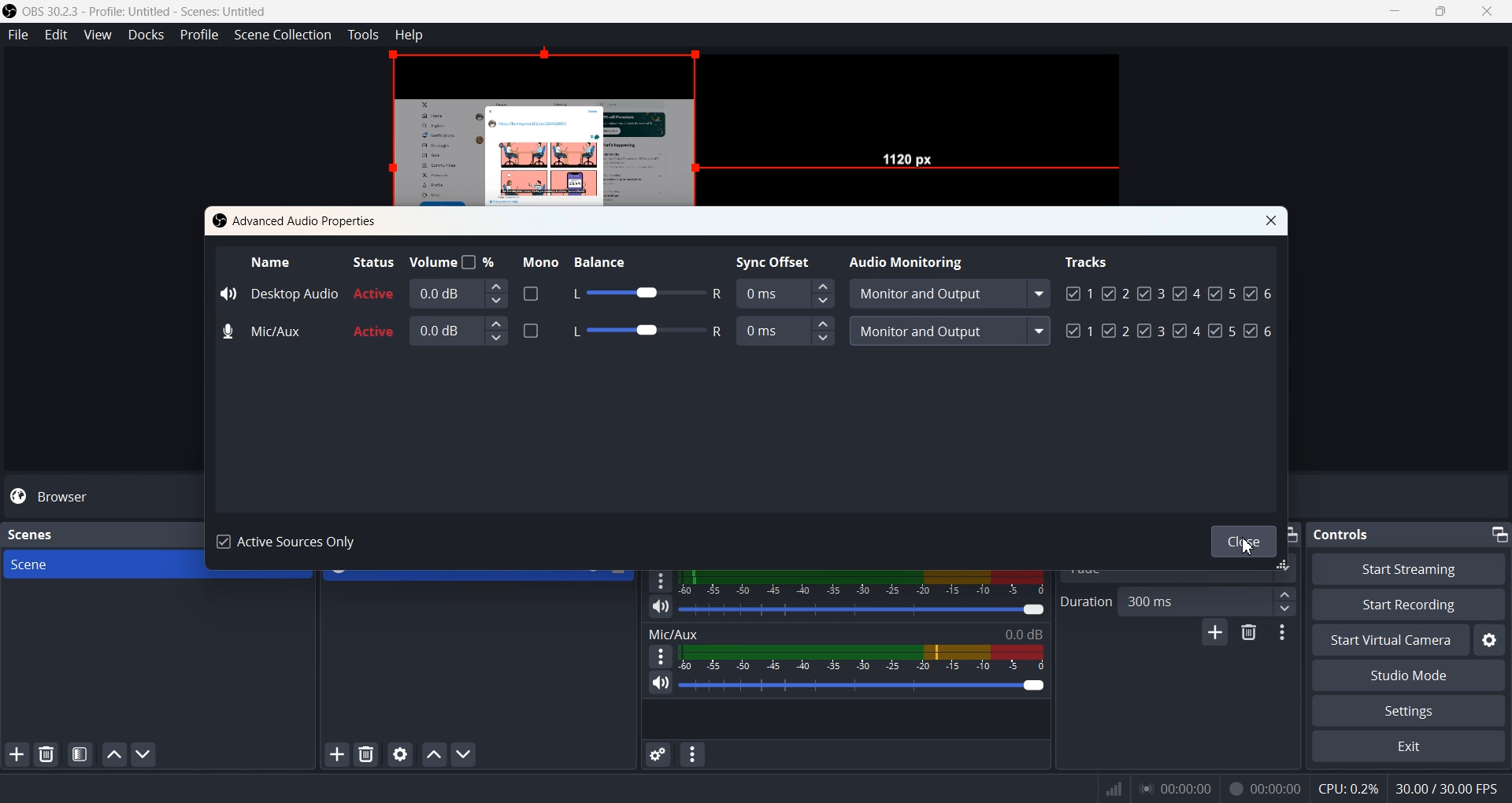  What do you see at coordinates (784, 292) in the screenshot?
I see `Sync Offset ` at bounding box center [784, 292].